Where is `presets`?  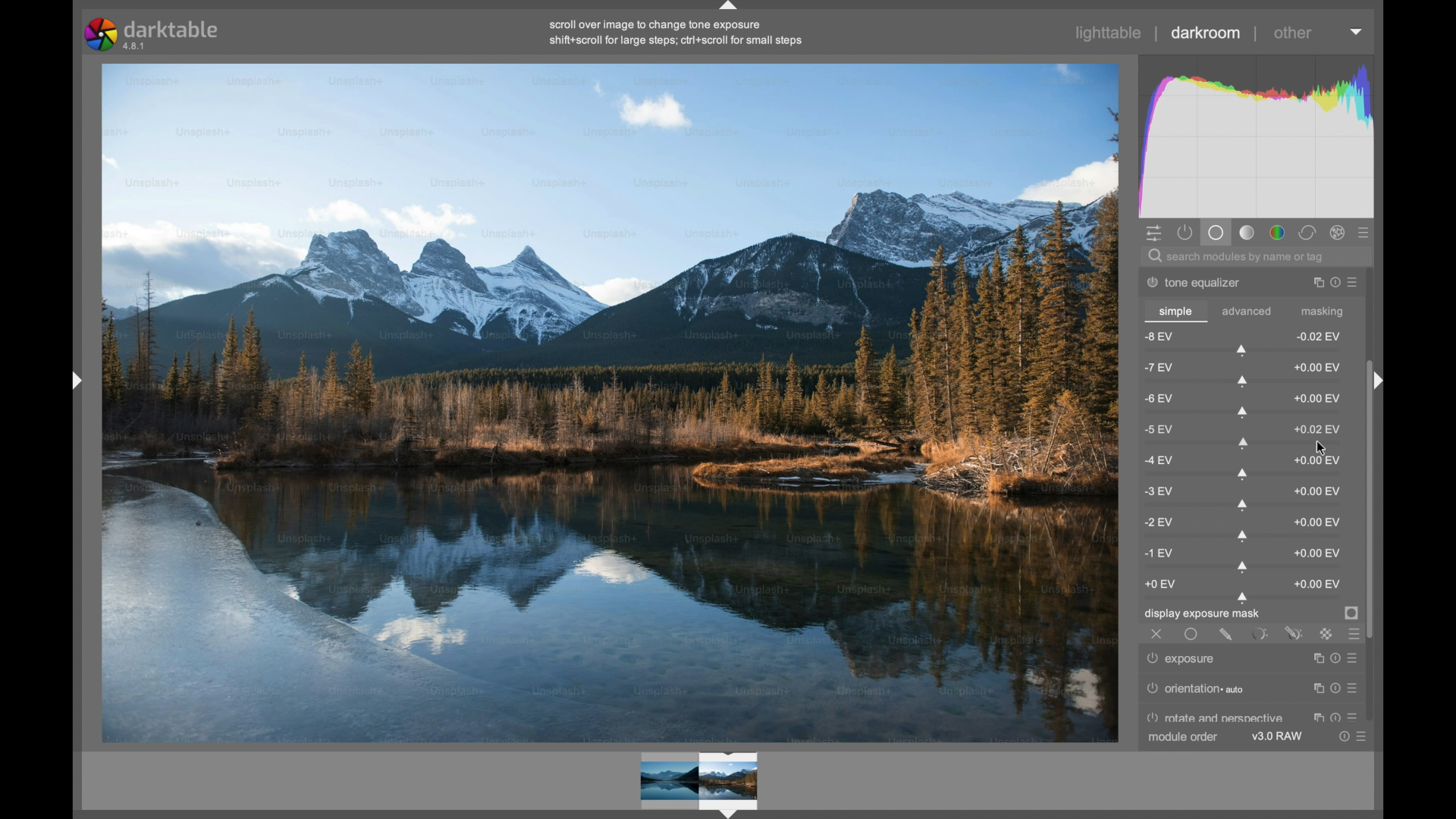 presets is located at coordinates (1367, 737).